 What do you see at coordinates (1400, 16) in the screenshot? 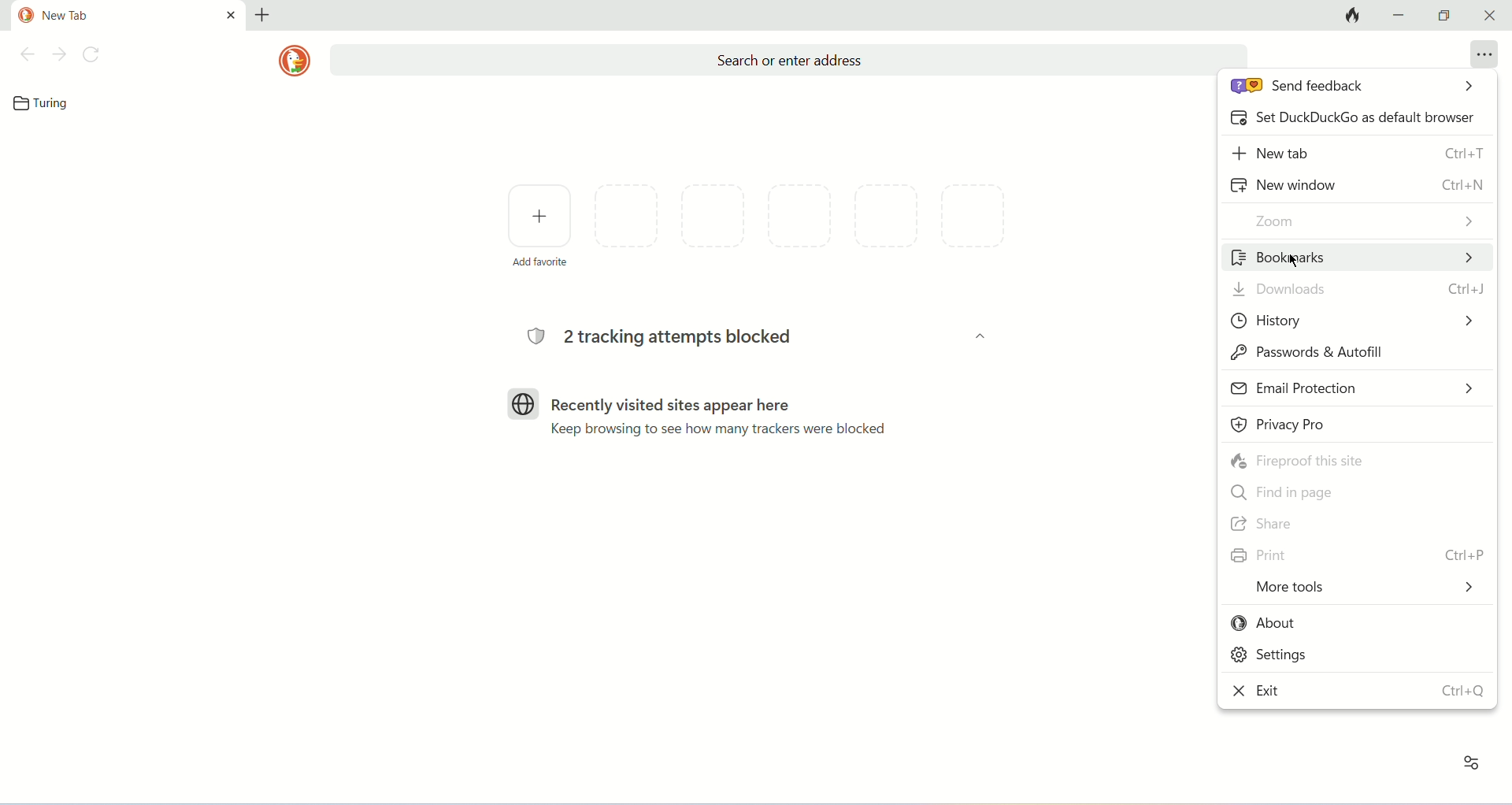
I see `minimize` at bounding box center [1400, 16].